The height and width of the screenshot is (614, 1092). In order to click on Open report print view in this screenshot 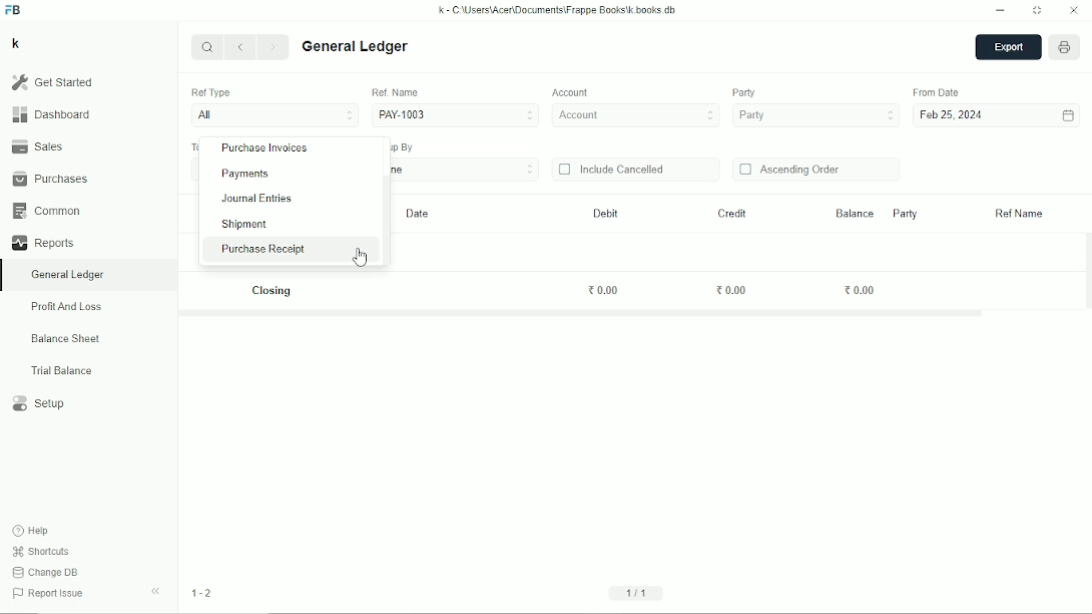, I will do `click(1065, 48)`.